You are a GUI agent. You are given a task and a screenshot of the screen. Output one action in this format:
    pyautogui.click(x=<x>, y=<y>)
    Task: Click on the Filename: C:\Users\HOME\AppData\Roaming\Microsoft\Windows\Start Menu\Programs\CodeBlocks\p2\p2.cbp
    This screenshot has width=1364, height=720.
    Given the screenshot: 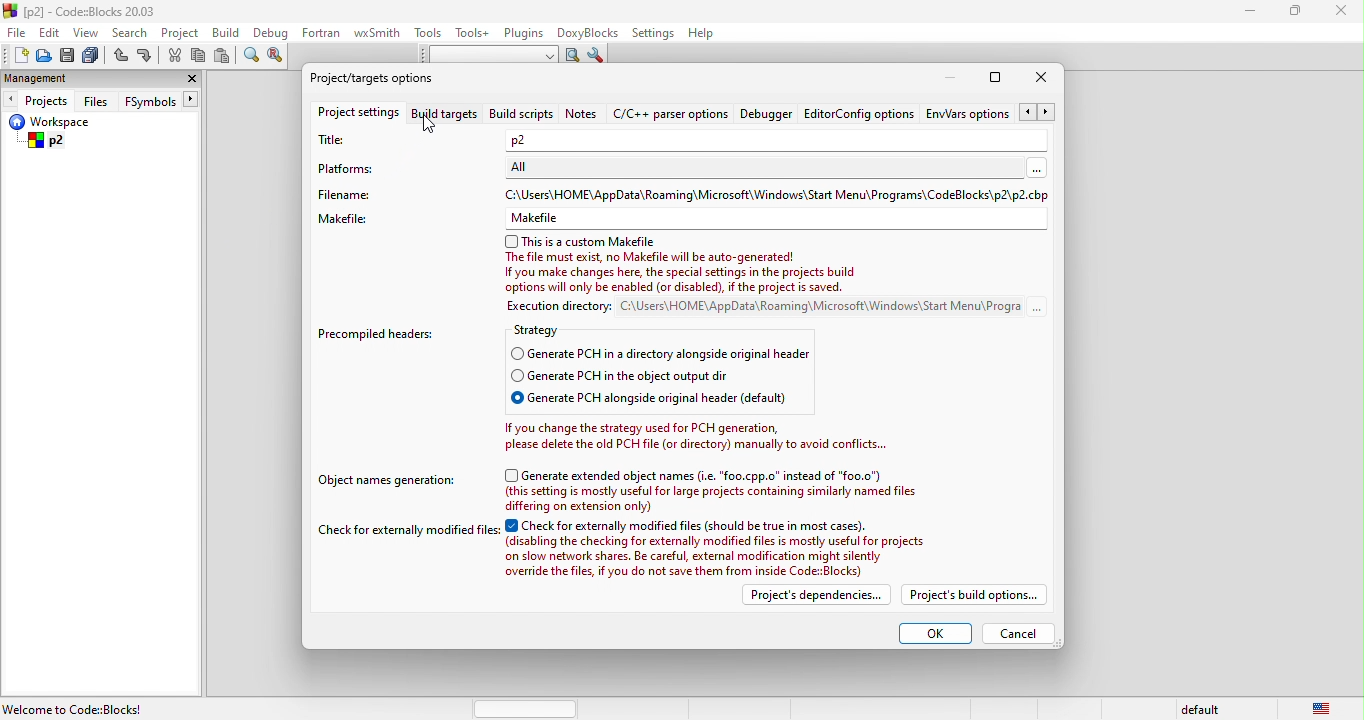 What is the action you would take?
    pyautogui.click(x=685, y=194)
    